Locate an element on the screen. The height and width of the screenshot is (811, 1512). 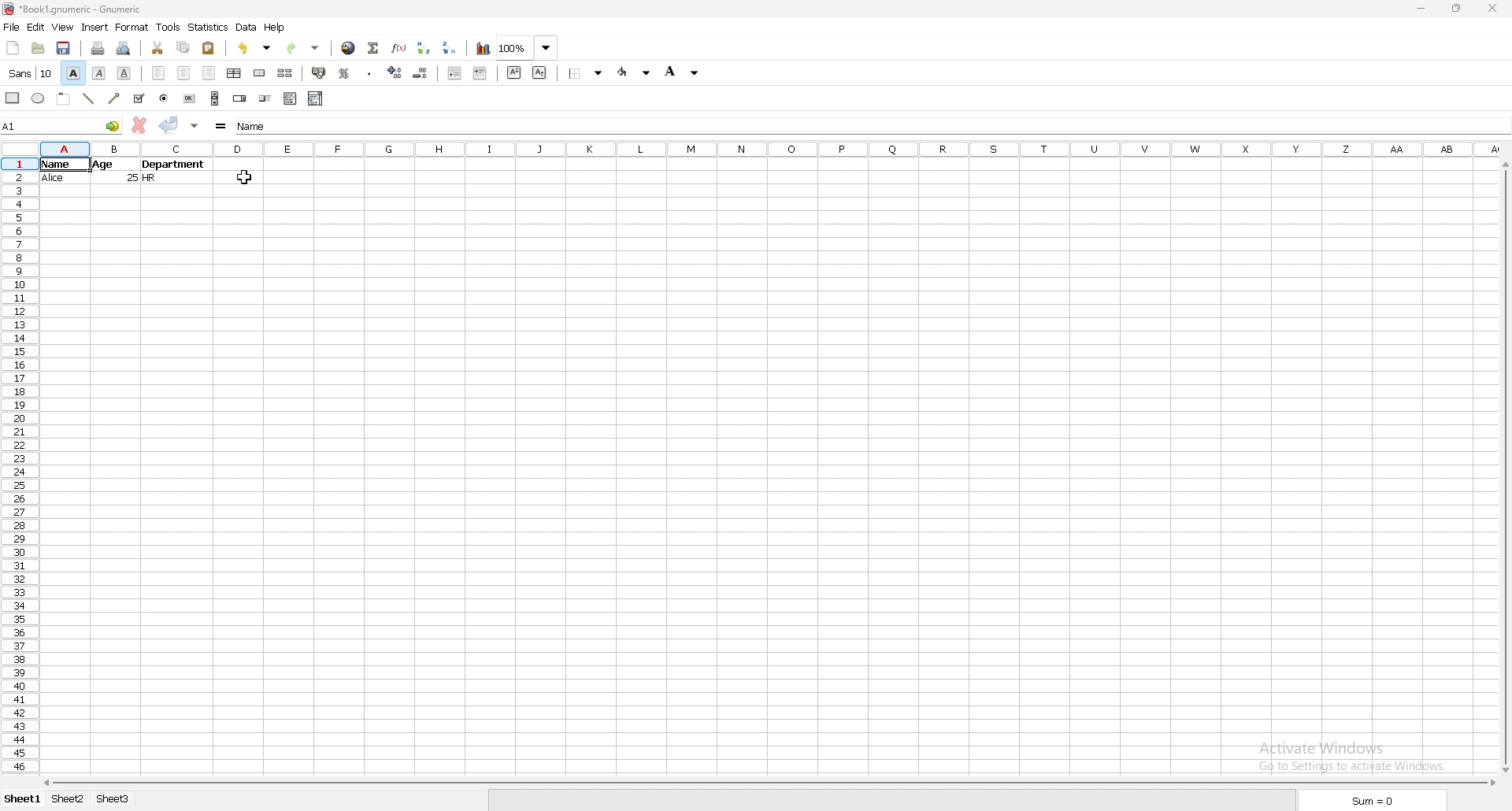
minimize is located at coordinates (1421, 9).